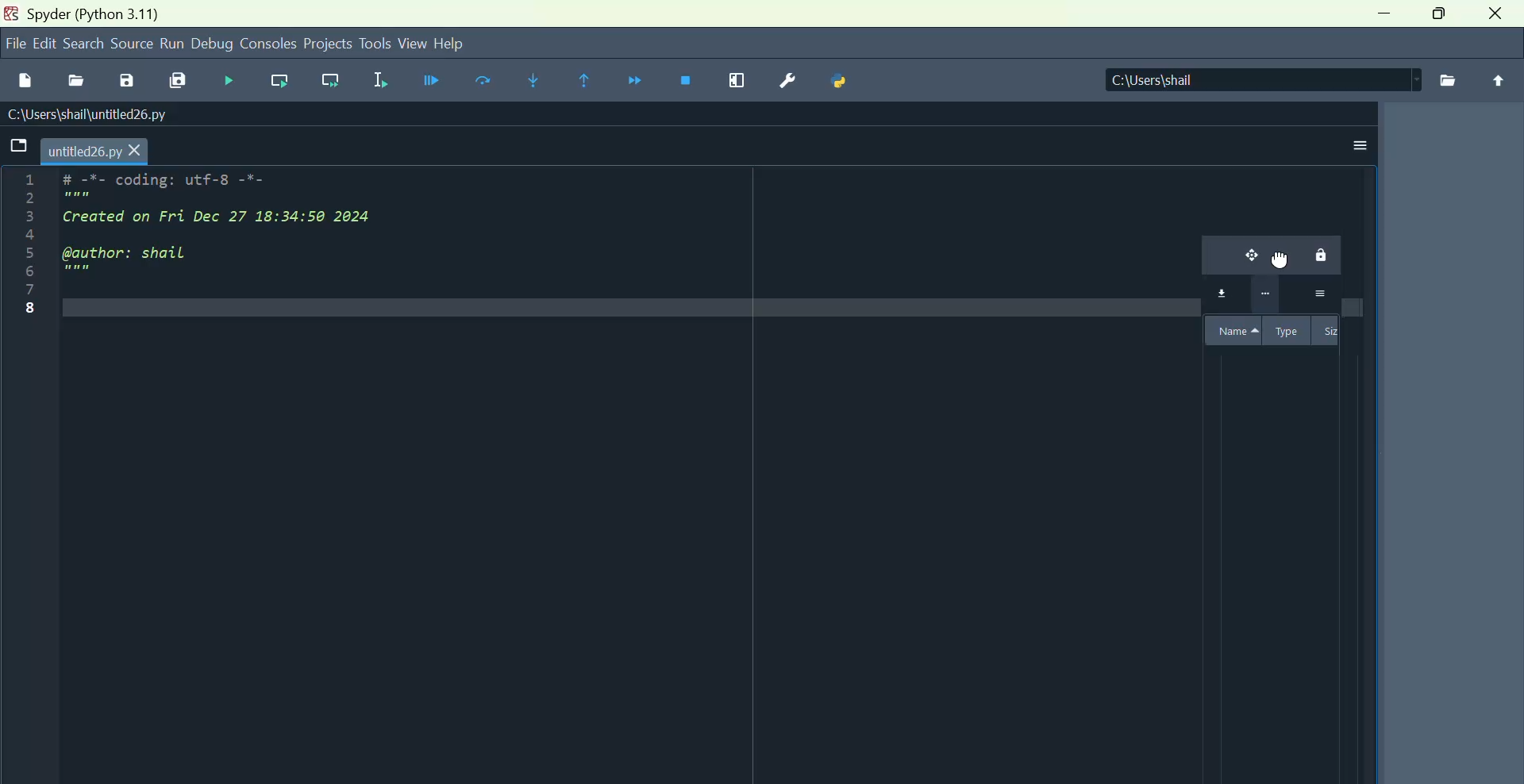 The width and height of the screenshot is (1524, 784). What do you see at coordinates (175, 44) in the screenshot?
I see `run` at bounding box center [175, 44].